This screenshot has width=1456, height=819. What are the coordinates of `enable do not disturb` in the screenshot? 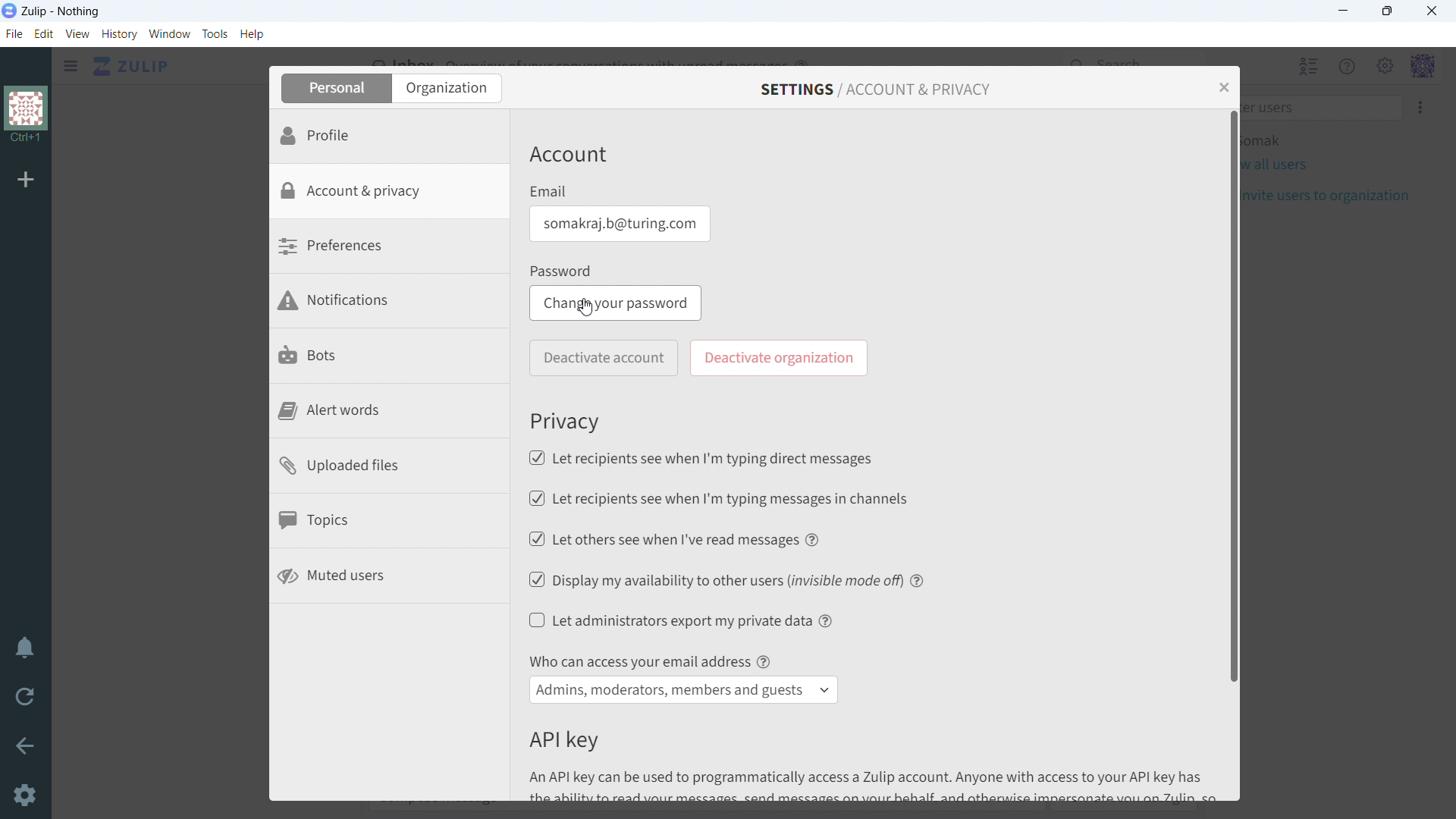 It's located at (25, 647).